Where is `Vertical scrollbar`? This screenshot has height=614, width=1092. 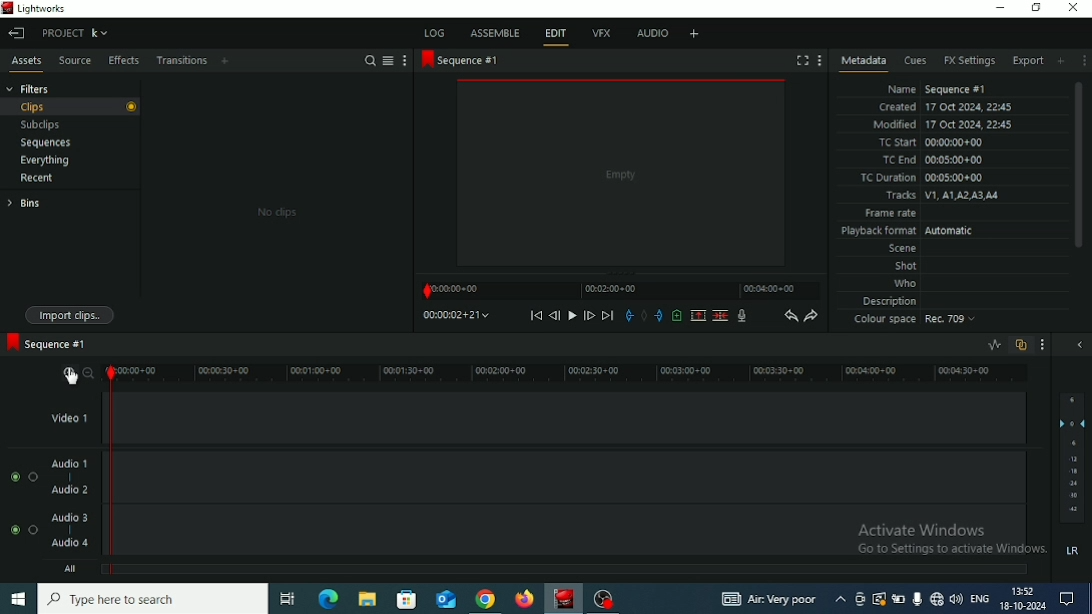
Vertical scrollbar is located at coordinates (1078, 164).